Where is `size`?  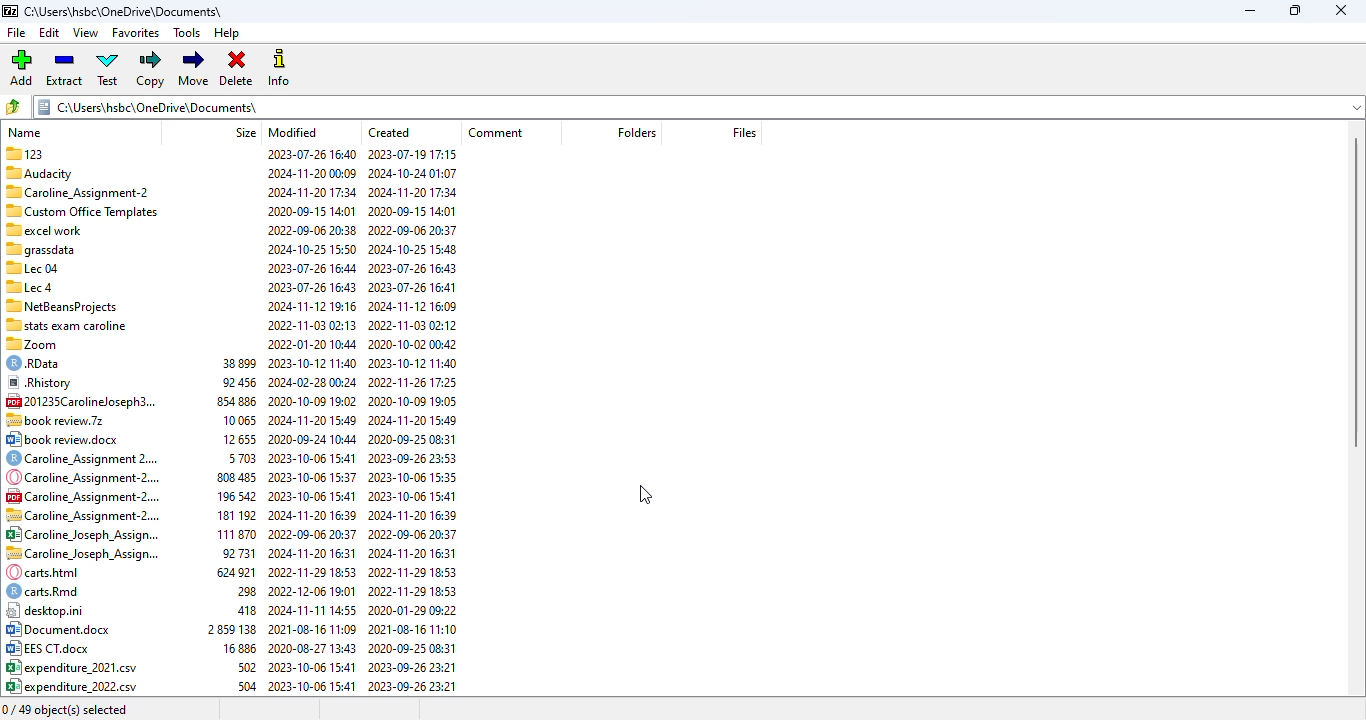
size is located at coordinates (231, 525).